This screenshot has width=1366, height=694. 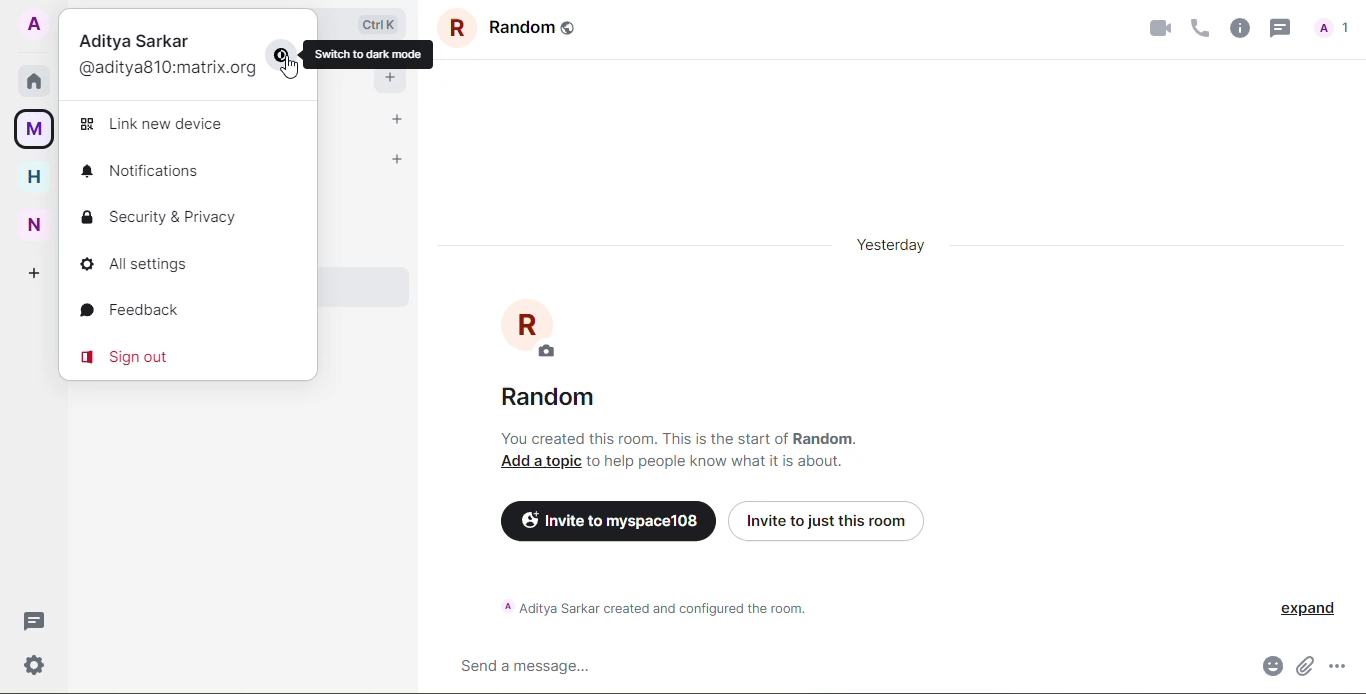 What do you see at coordinates (174, 124) in the screenshot?
I see `link new device` at bounding box center [174, 124].